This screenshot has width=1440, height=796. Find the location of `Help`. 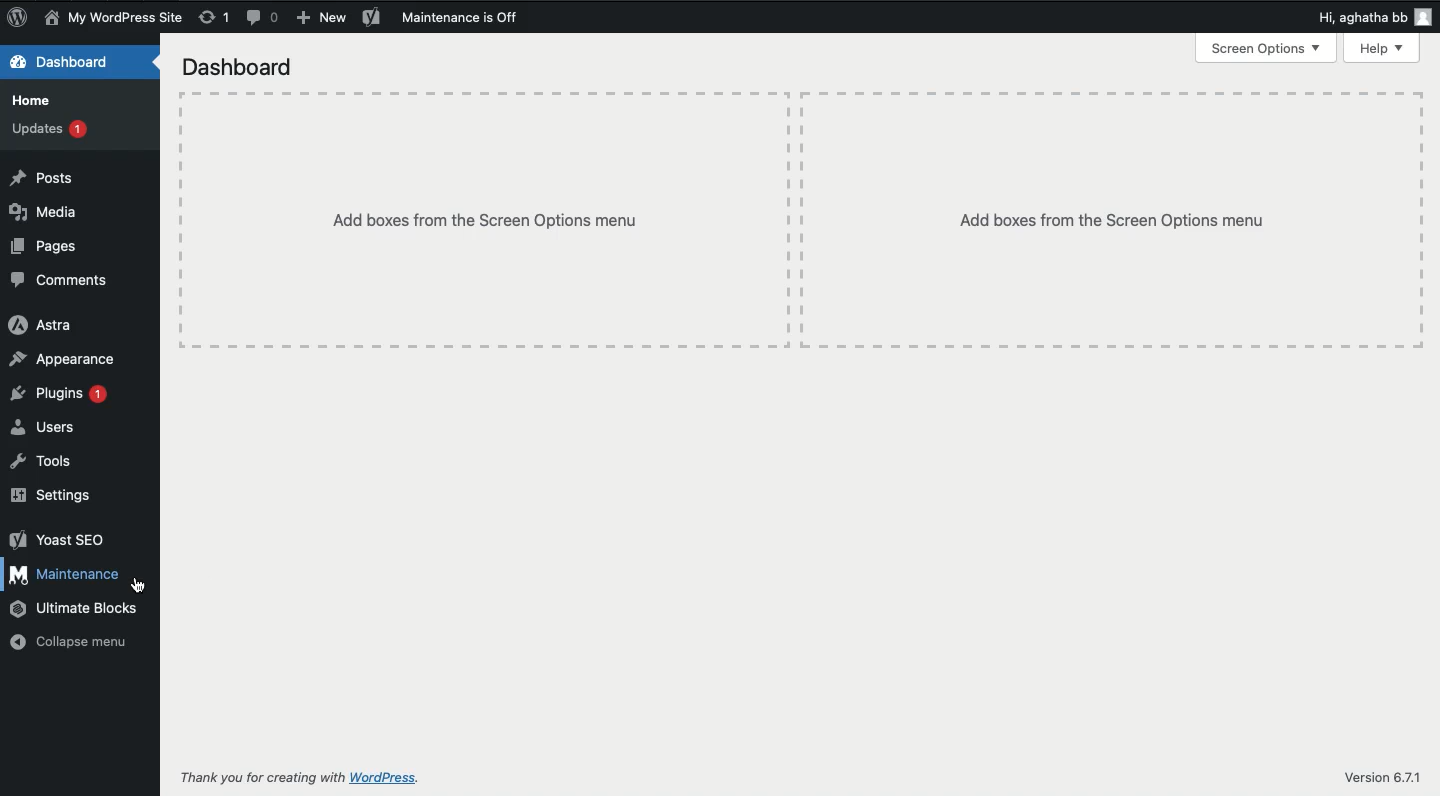

Help is located at coordinates (1383, 47).